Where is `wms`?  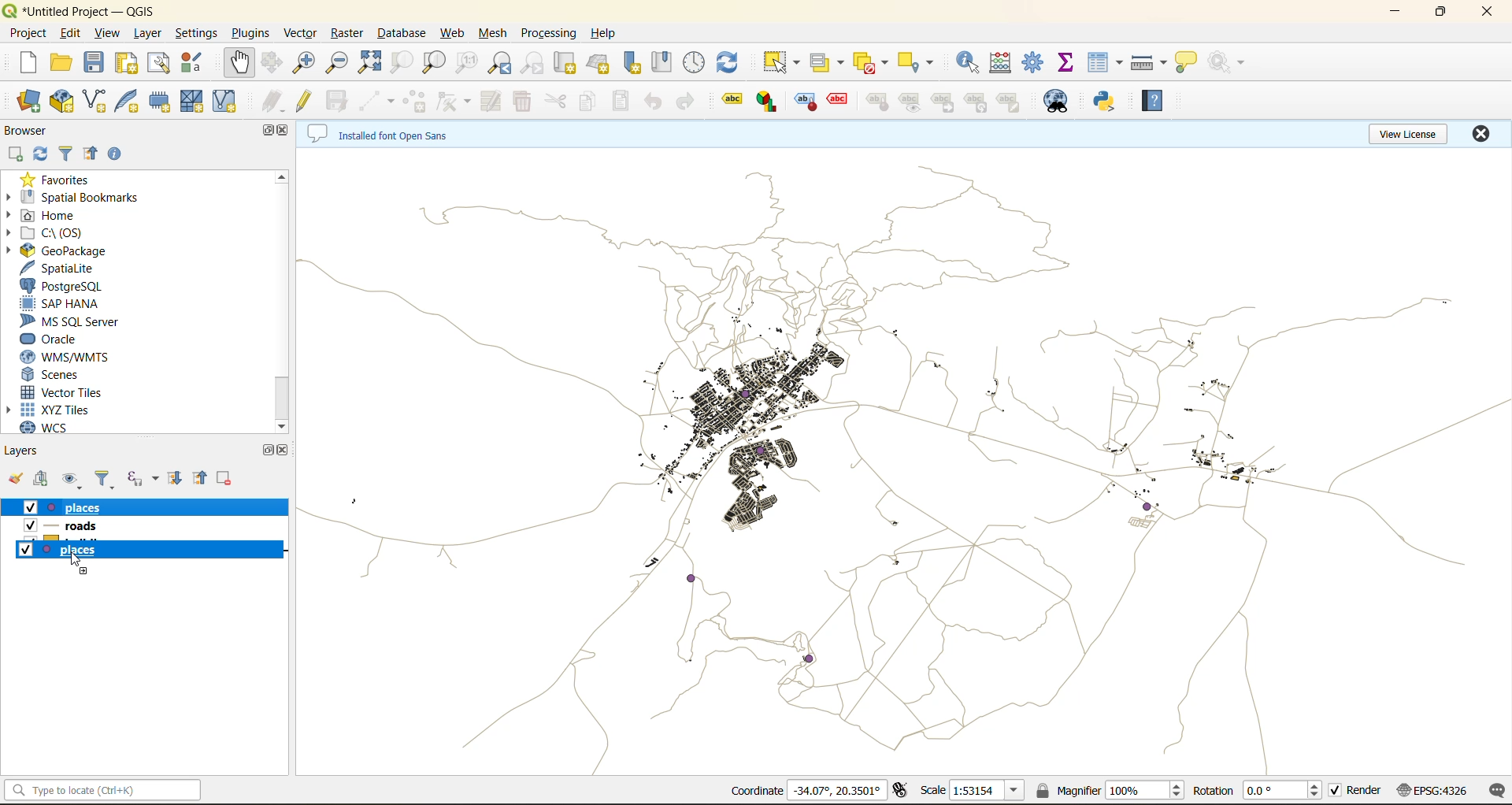
wms is located at coordinates (94, 358).